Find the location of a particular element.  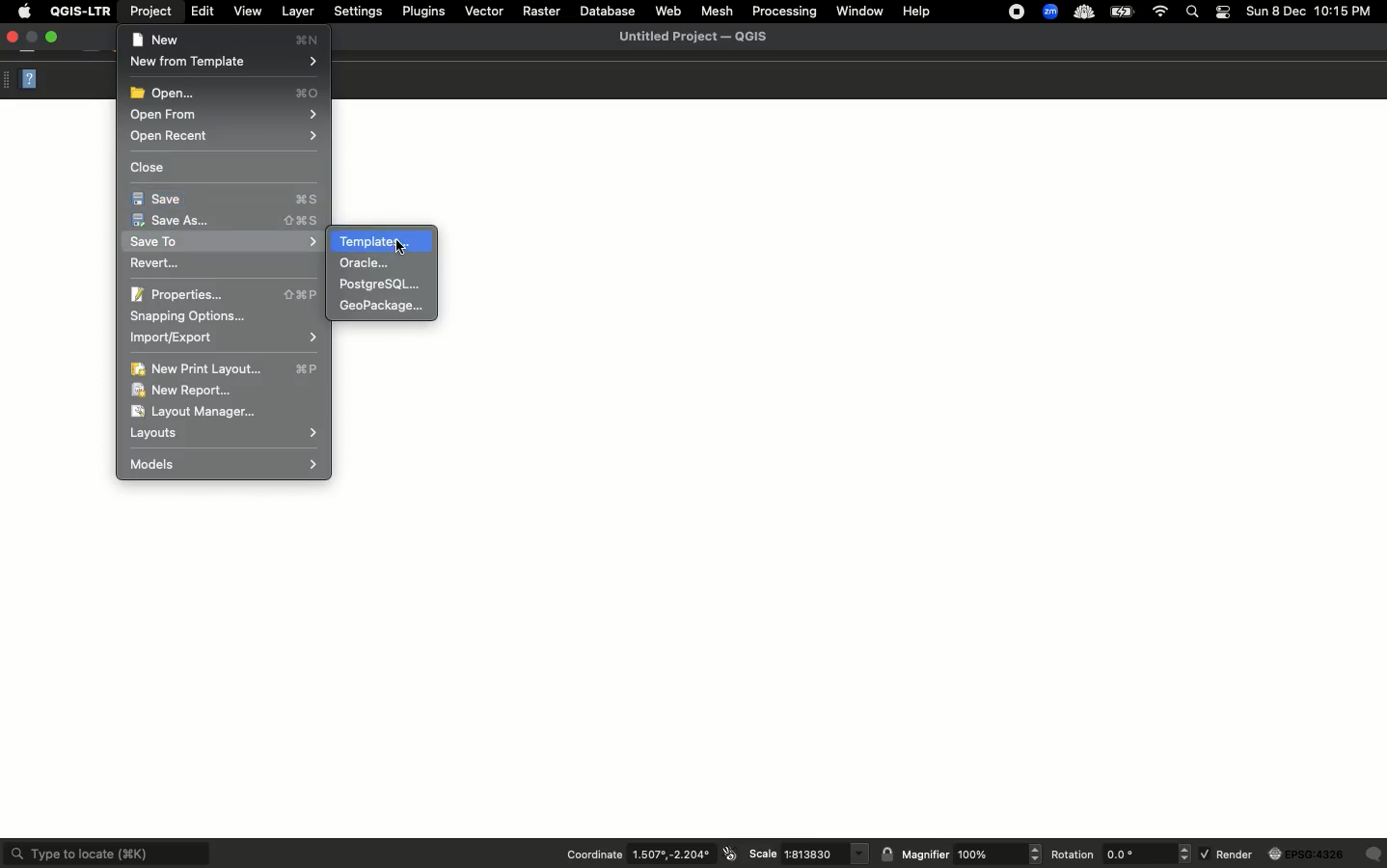

View is located at coordinates (247, 11).